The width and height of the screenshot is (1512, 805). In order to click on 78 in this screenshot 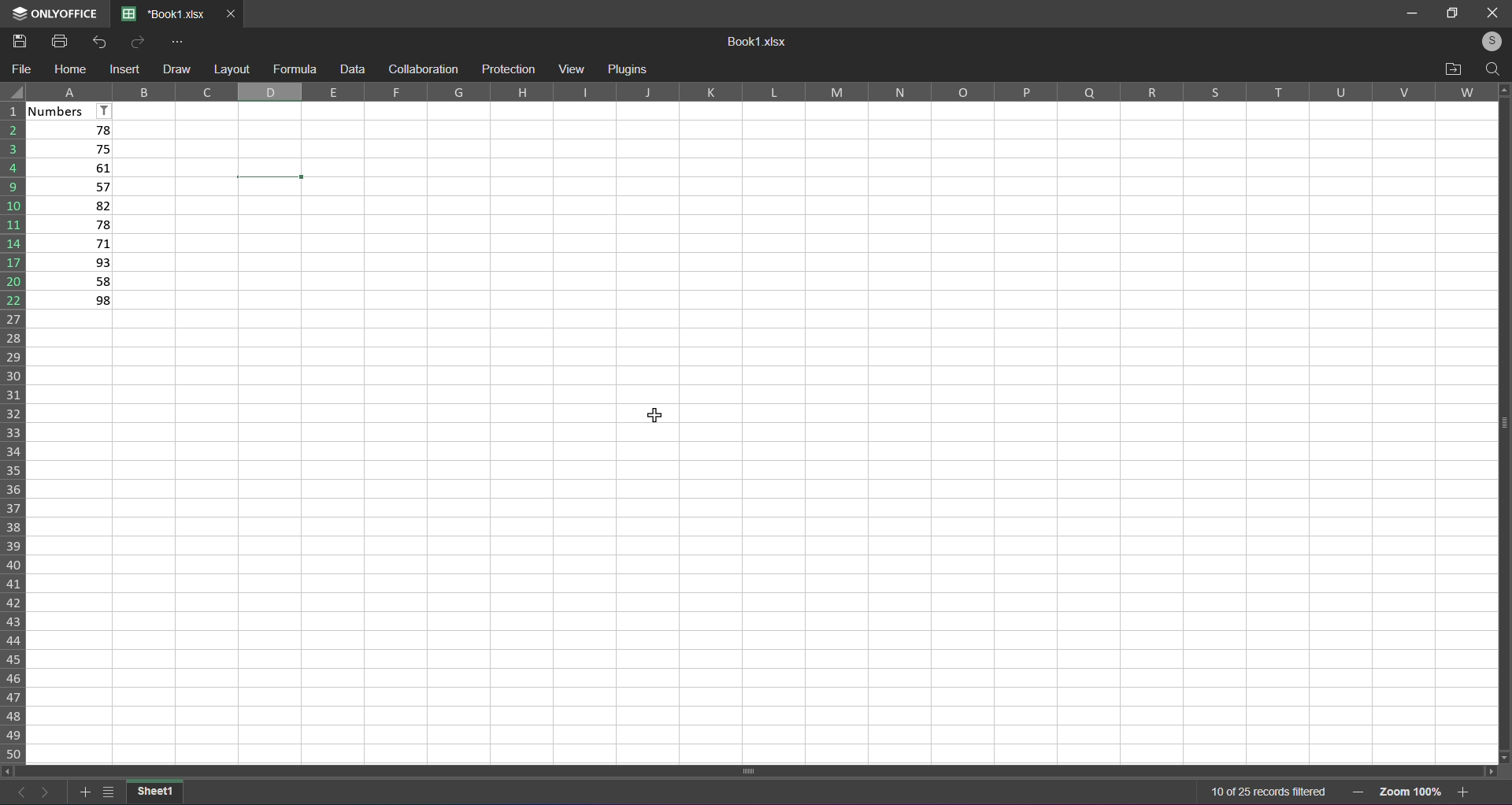, I will do `click(71, 131)`.